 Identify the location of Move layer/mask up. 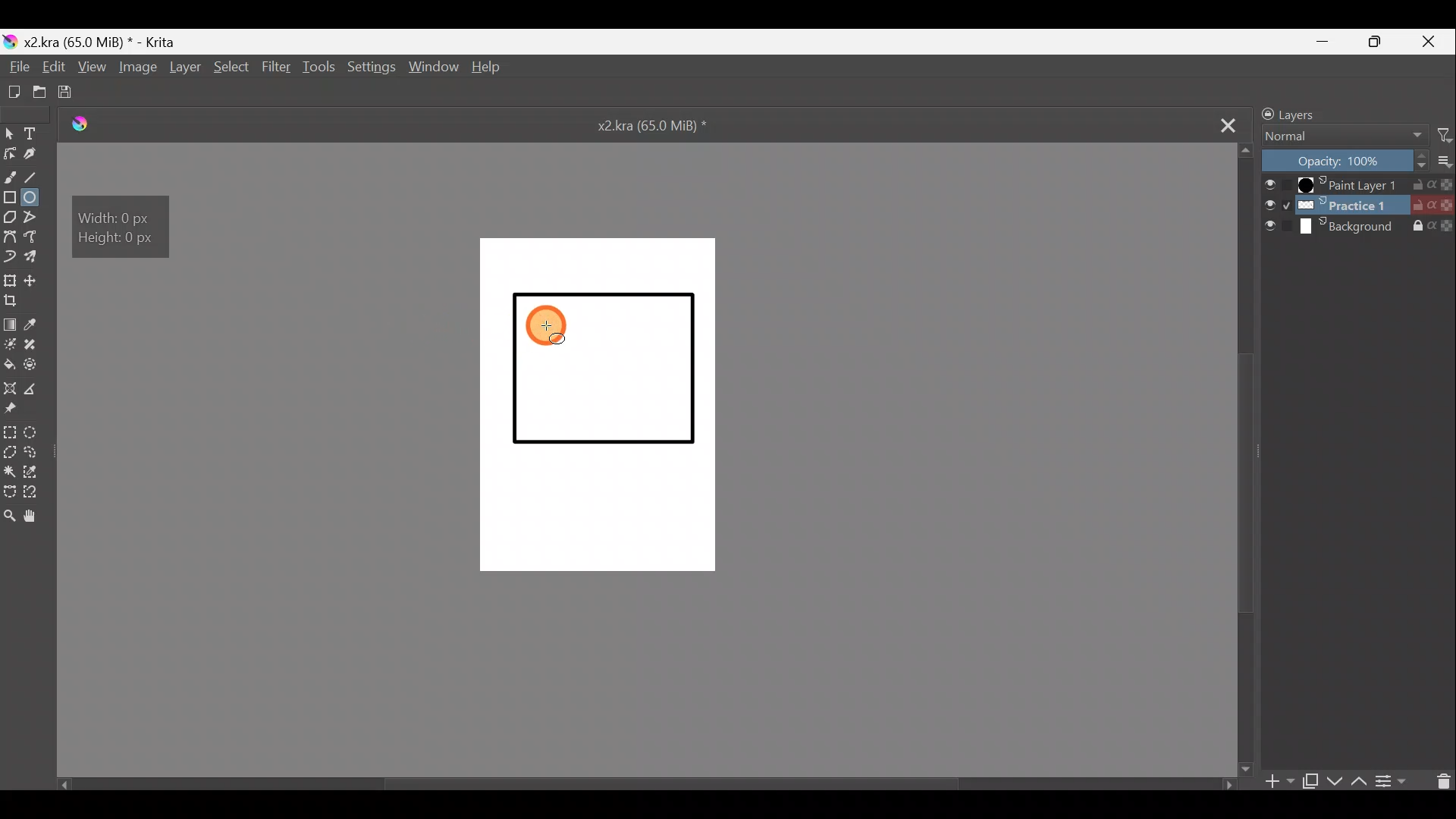
(1357, 778).